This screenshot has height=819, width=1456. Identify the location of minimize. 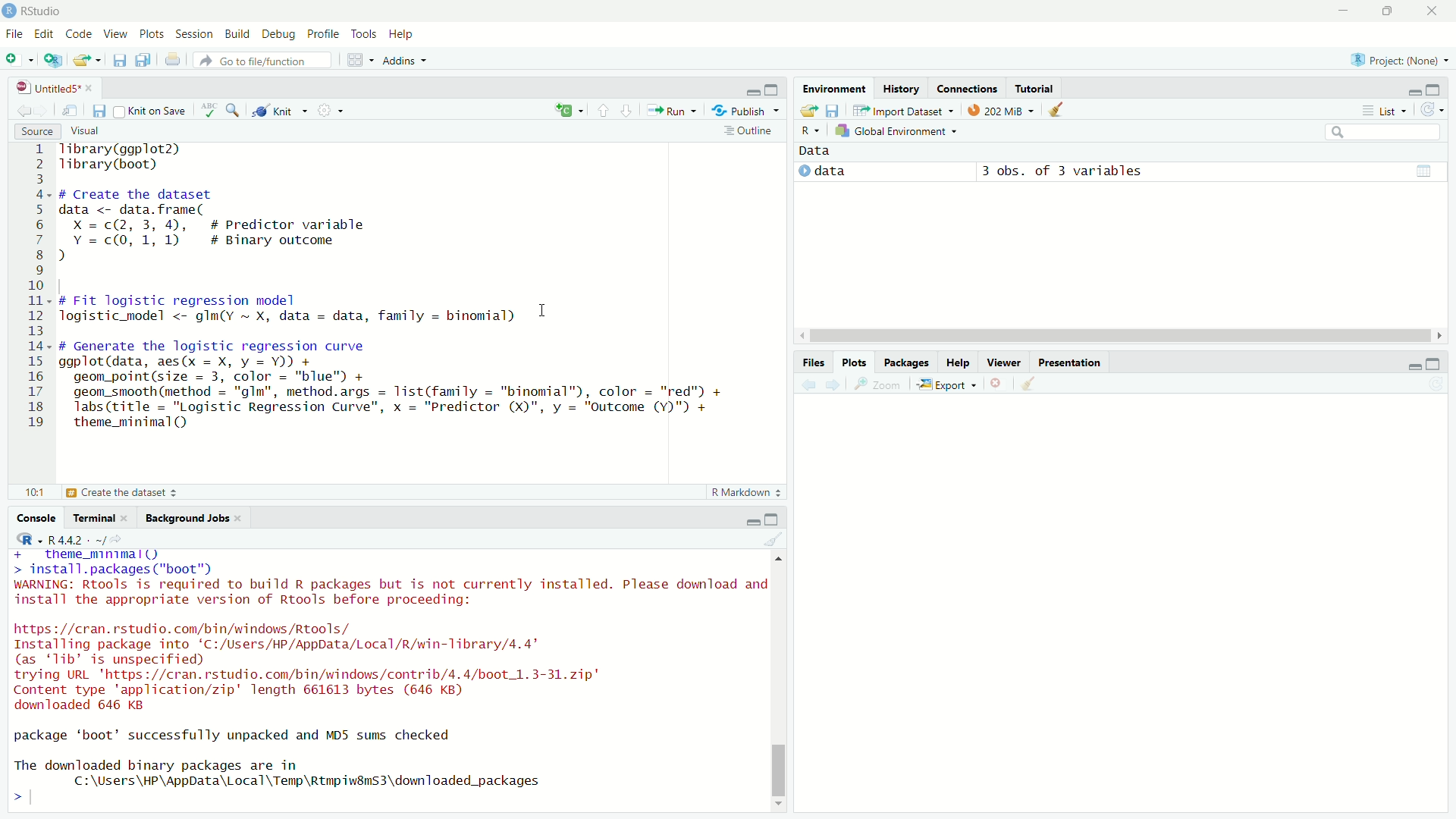
(753, 92).